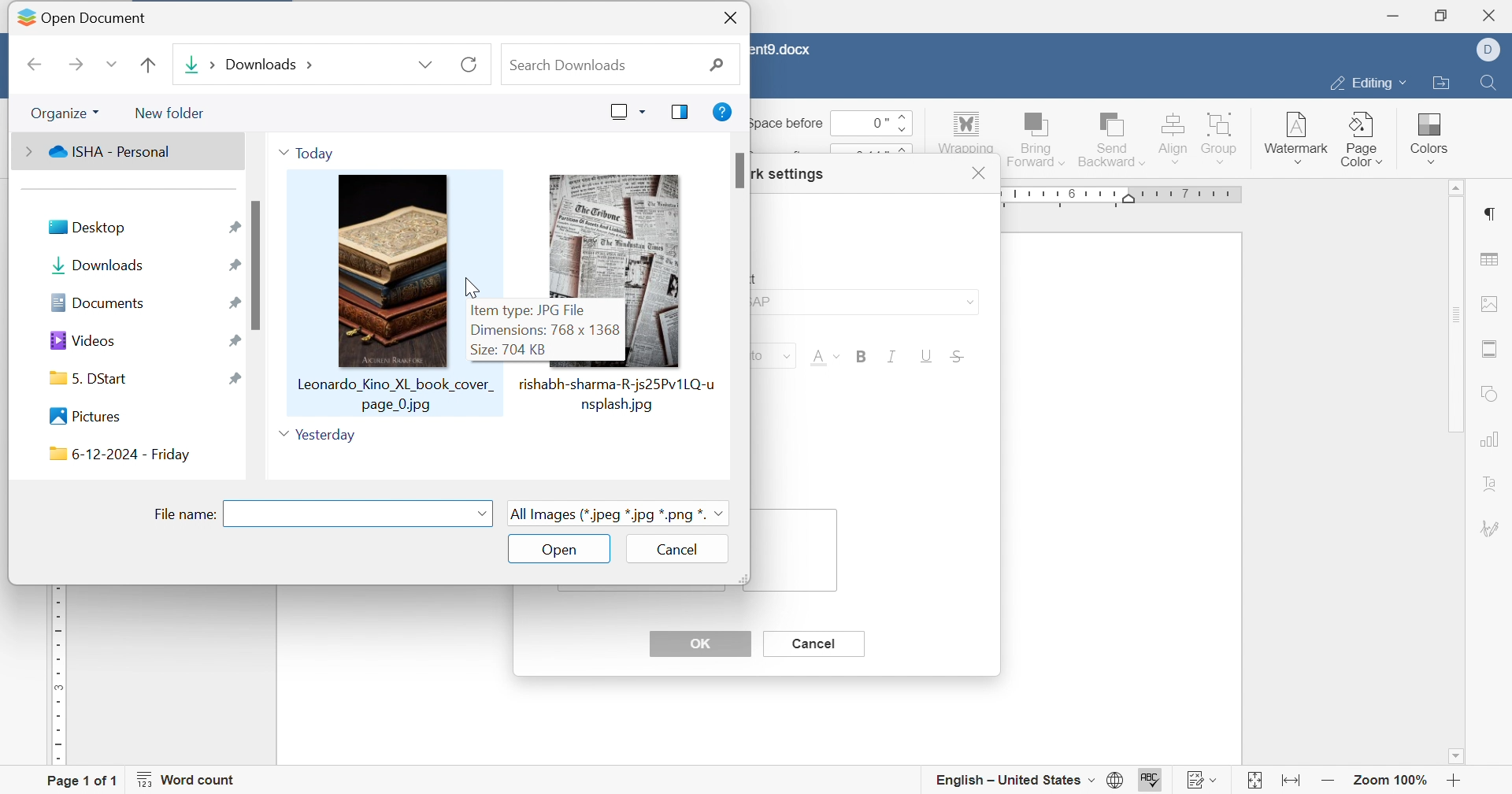  I want to click on previous, so click(150, 65).